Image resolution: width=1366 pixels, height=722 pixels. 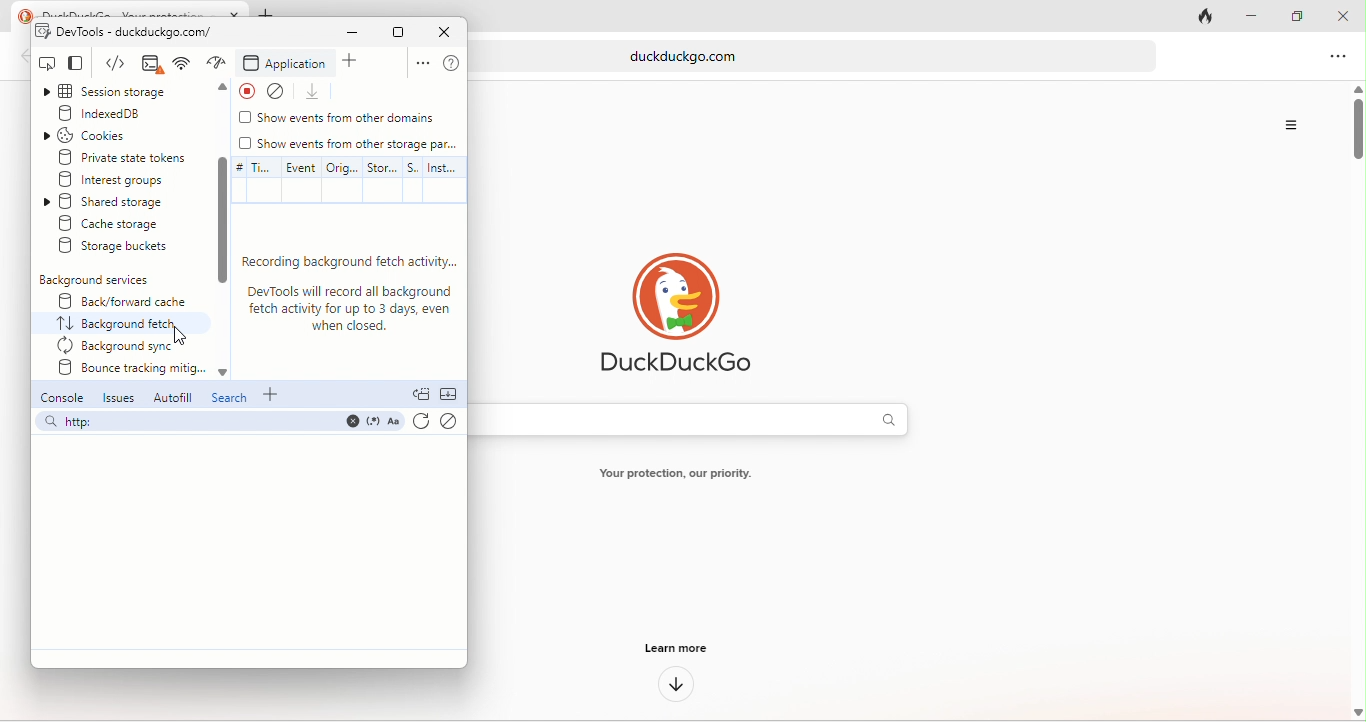 What do you see at coordinates (443, 32) in the screenshot?
I see `close` at bounding box center [443, 32].